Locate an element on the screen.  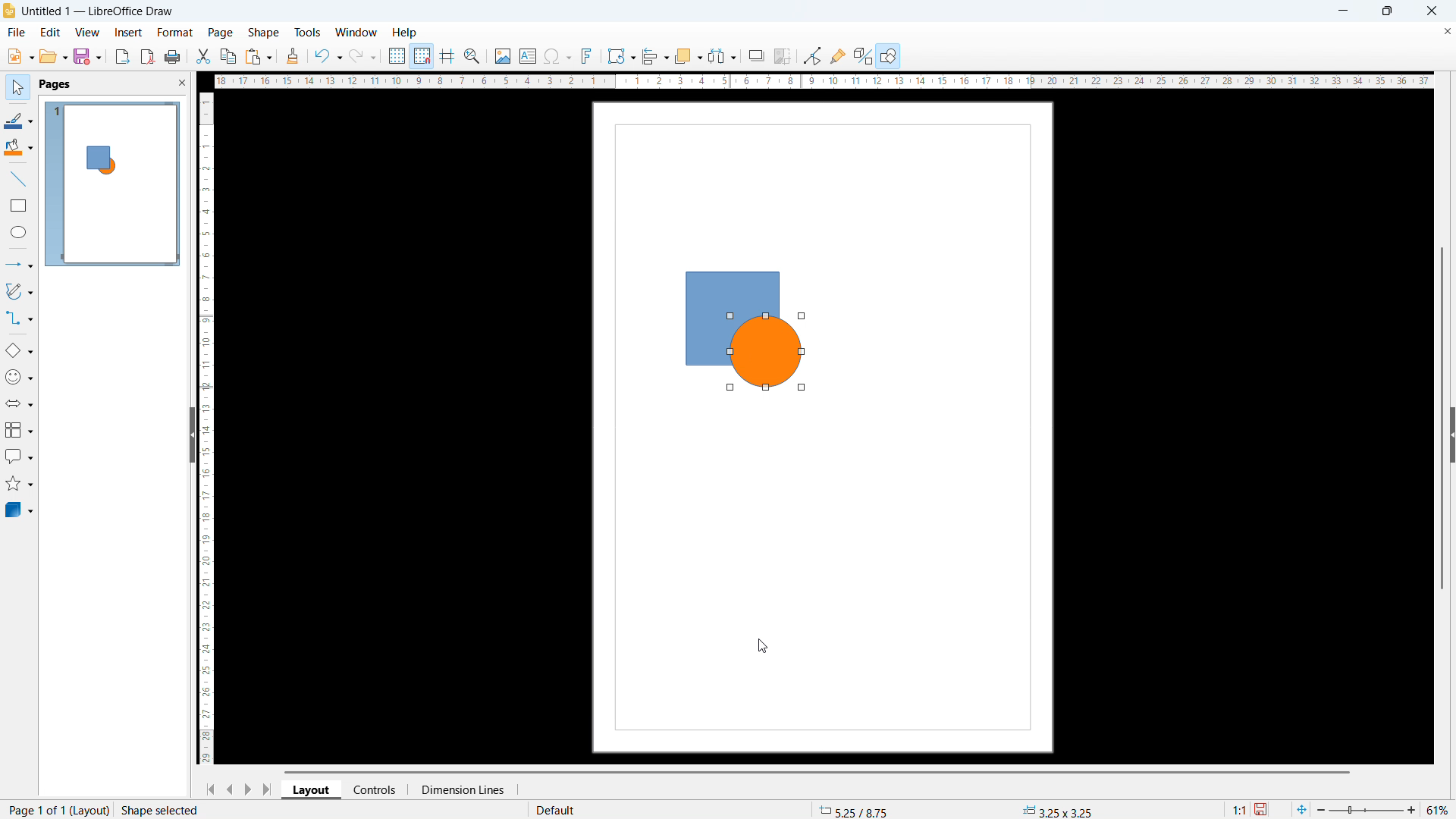
transformation is located at coordinates (621, 57).